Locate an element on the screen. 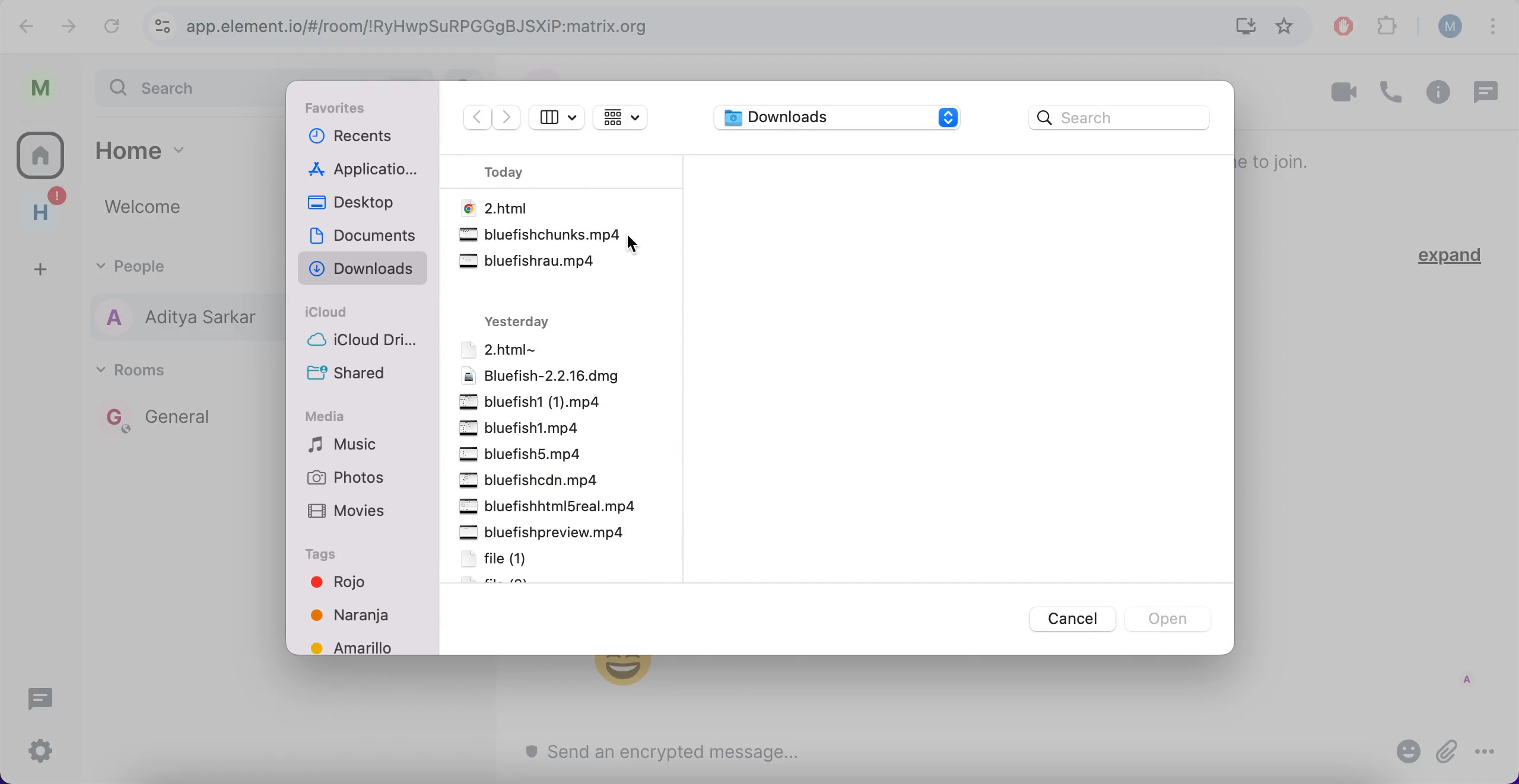 The height and width of the screenshot is (784, 1519). applications is located at coordinates (366, 172).